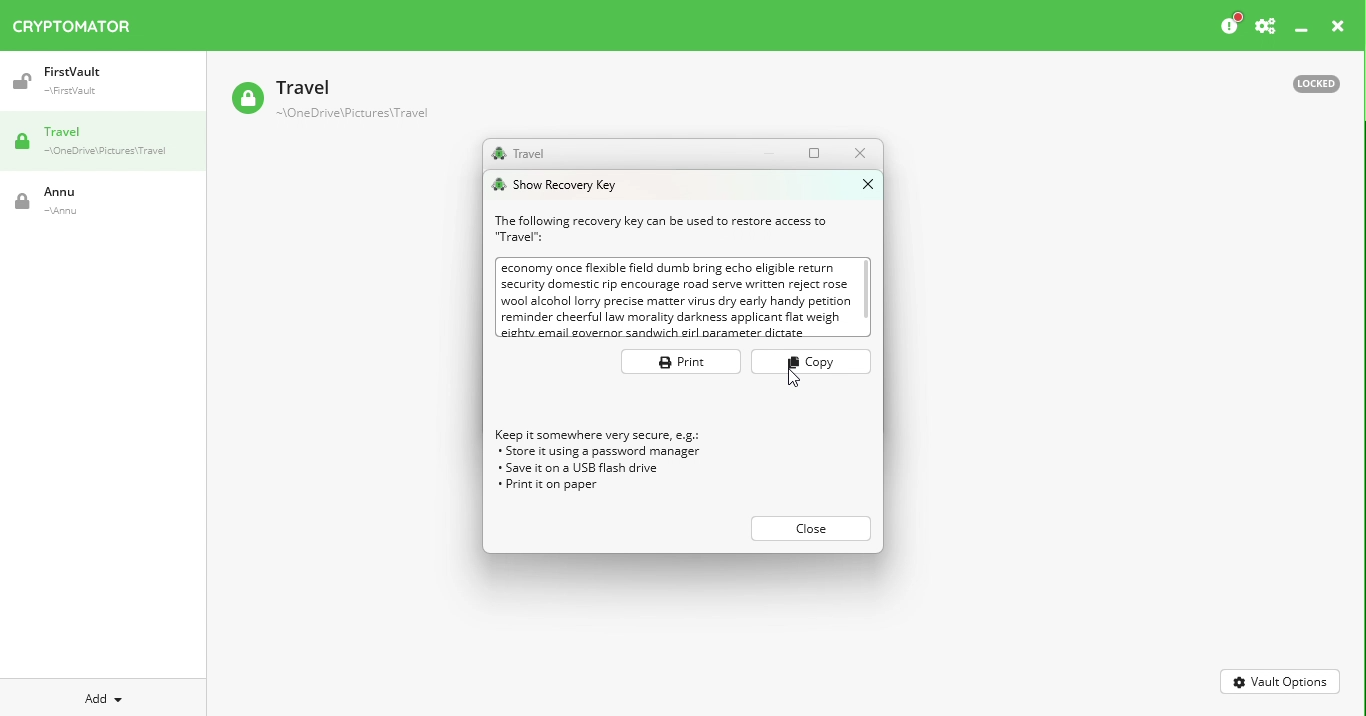  What do you see at coordinates (1302, 31) in the screenshot?
I see `Minimize` at bounding box center [1302, 31].